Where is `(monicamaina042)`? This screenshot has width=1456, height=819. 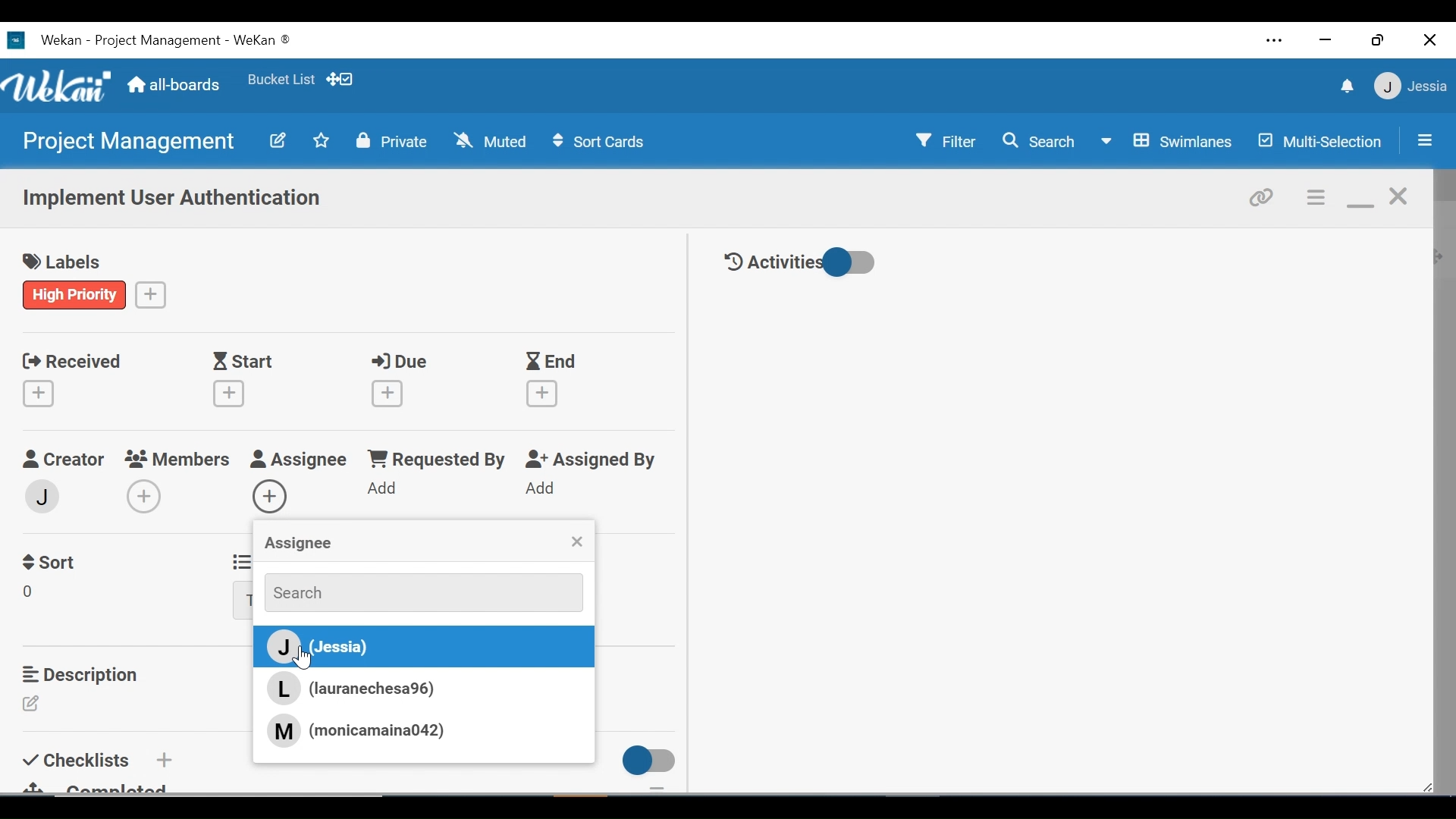 (monicamaina042) is located at coordinates (356, 730).